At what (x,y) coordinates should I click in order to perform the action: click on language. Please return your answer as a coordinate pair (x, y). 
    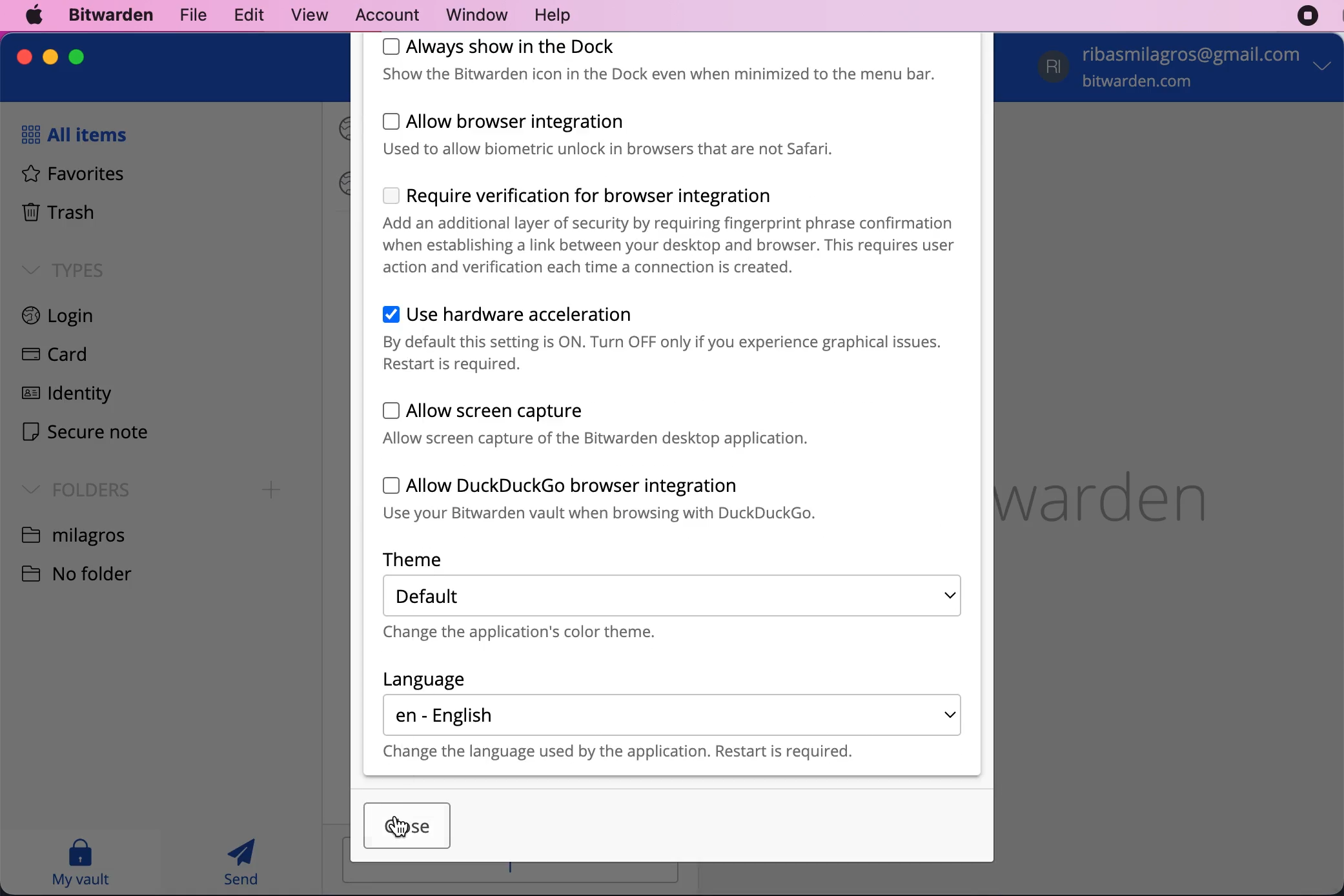
    Looking at the image, I should click on (425, 679).